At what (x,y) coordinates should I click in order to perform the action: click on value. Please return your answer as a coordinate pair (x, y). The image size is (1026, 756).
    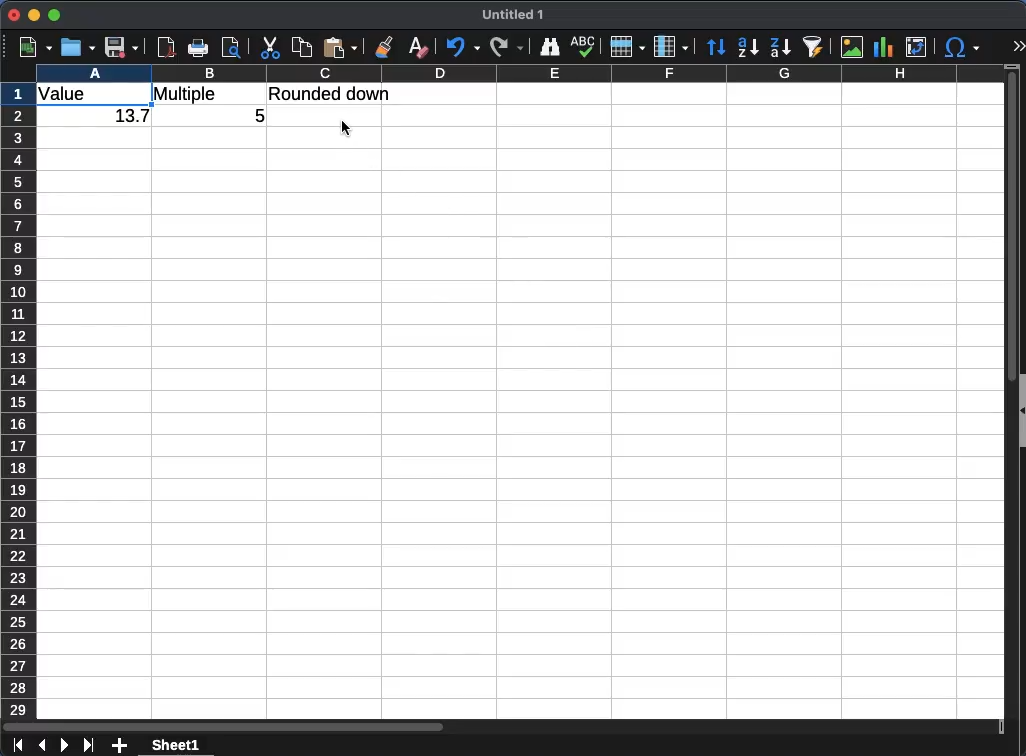
    Looking at the image, I should click on (67, 95).